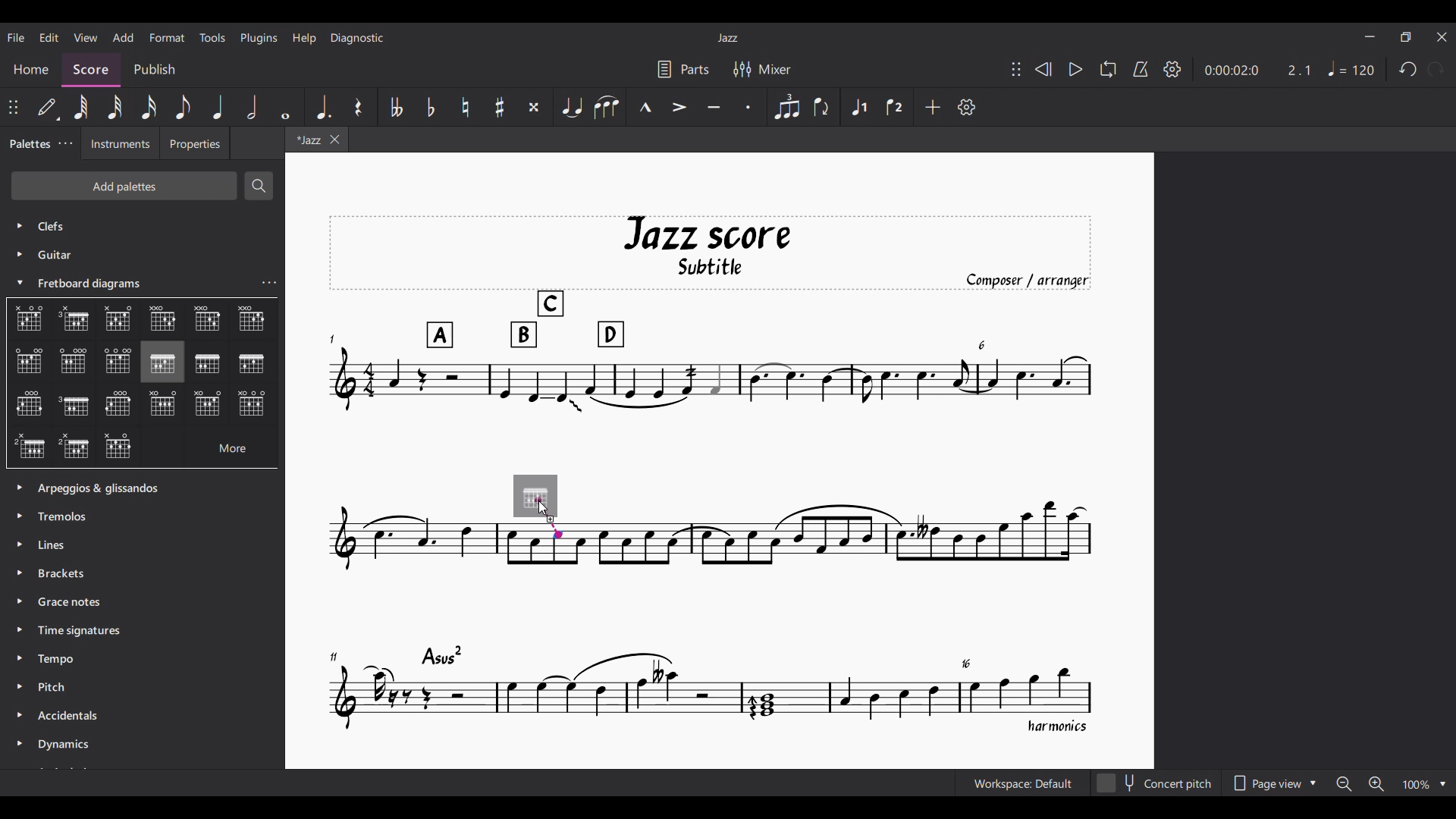 The image size is (1456, 819). I want to click on Minimize, so click(1370, 36).